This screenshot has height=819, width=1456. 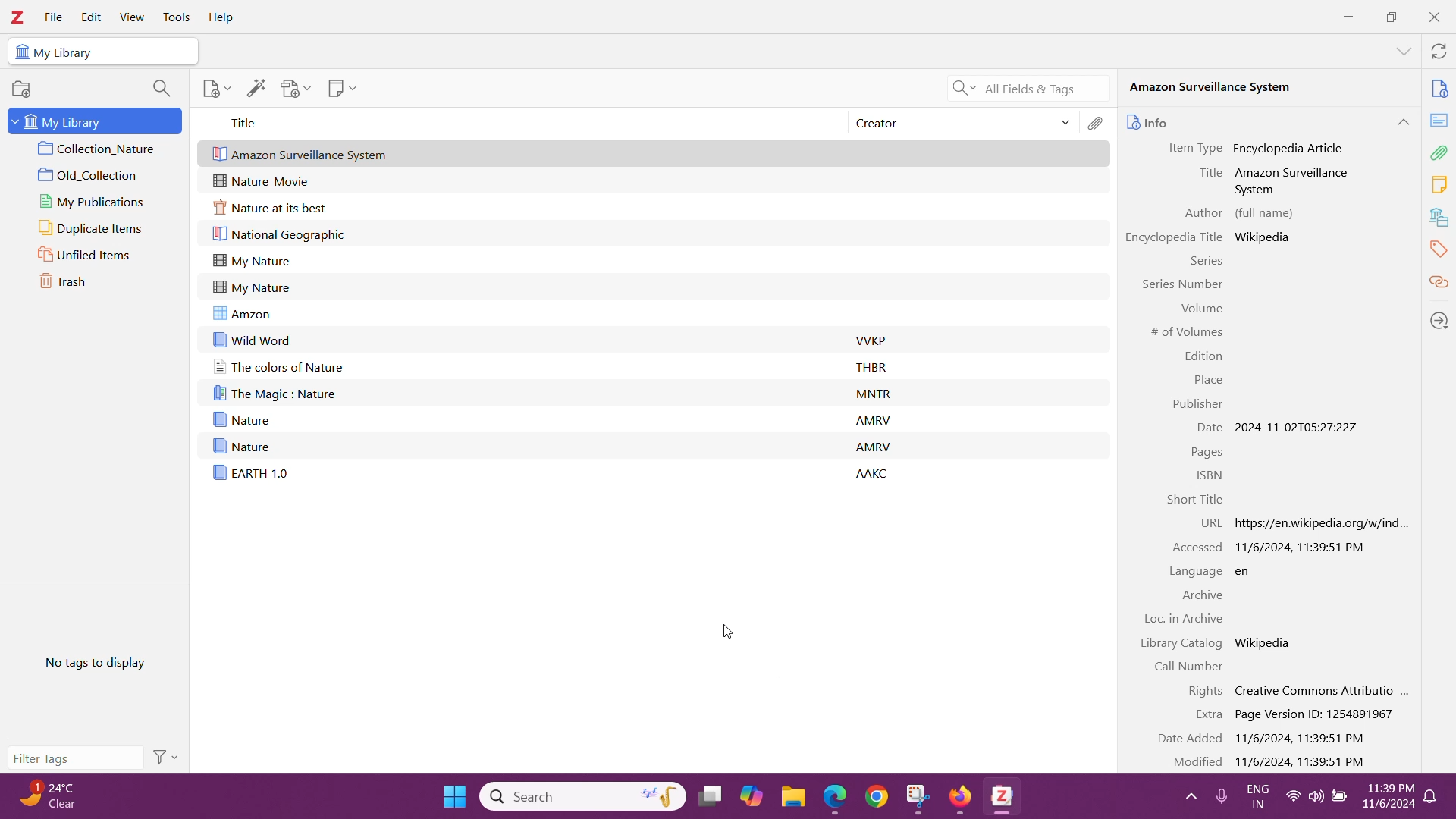 What do you see at coordinates (962, 797) in the screenshot?
I see `Firefox browser` at bounding box center [962, 797].